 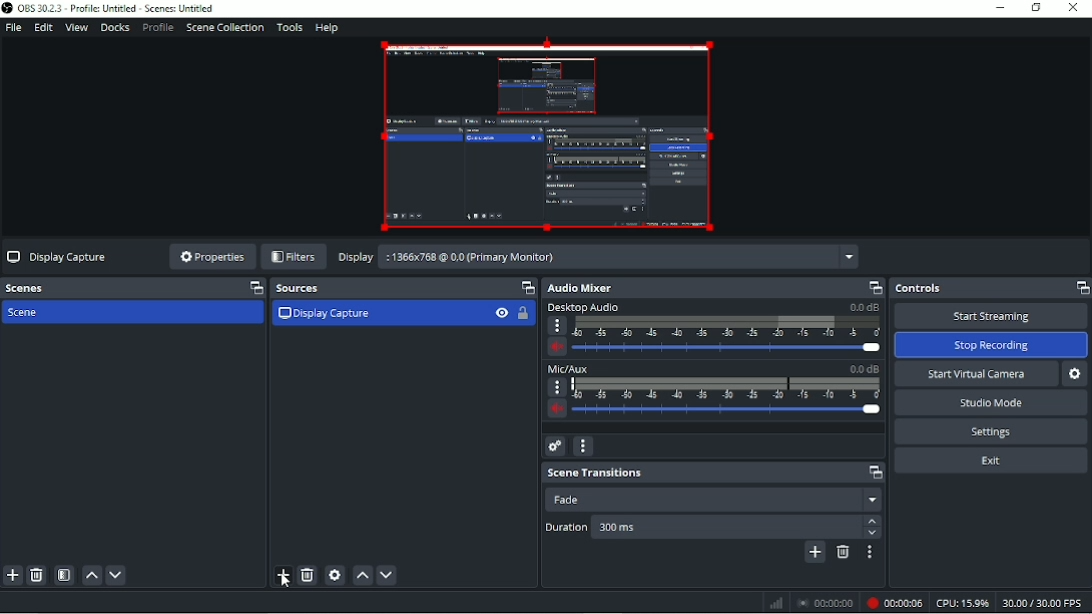 I want to click on Stop recording, so click(x=992, y=345).